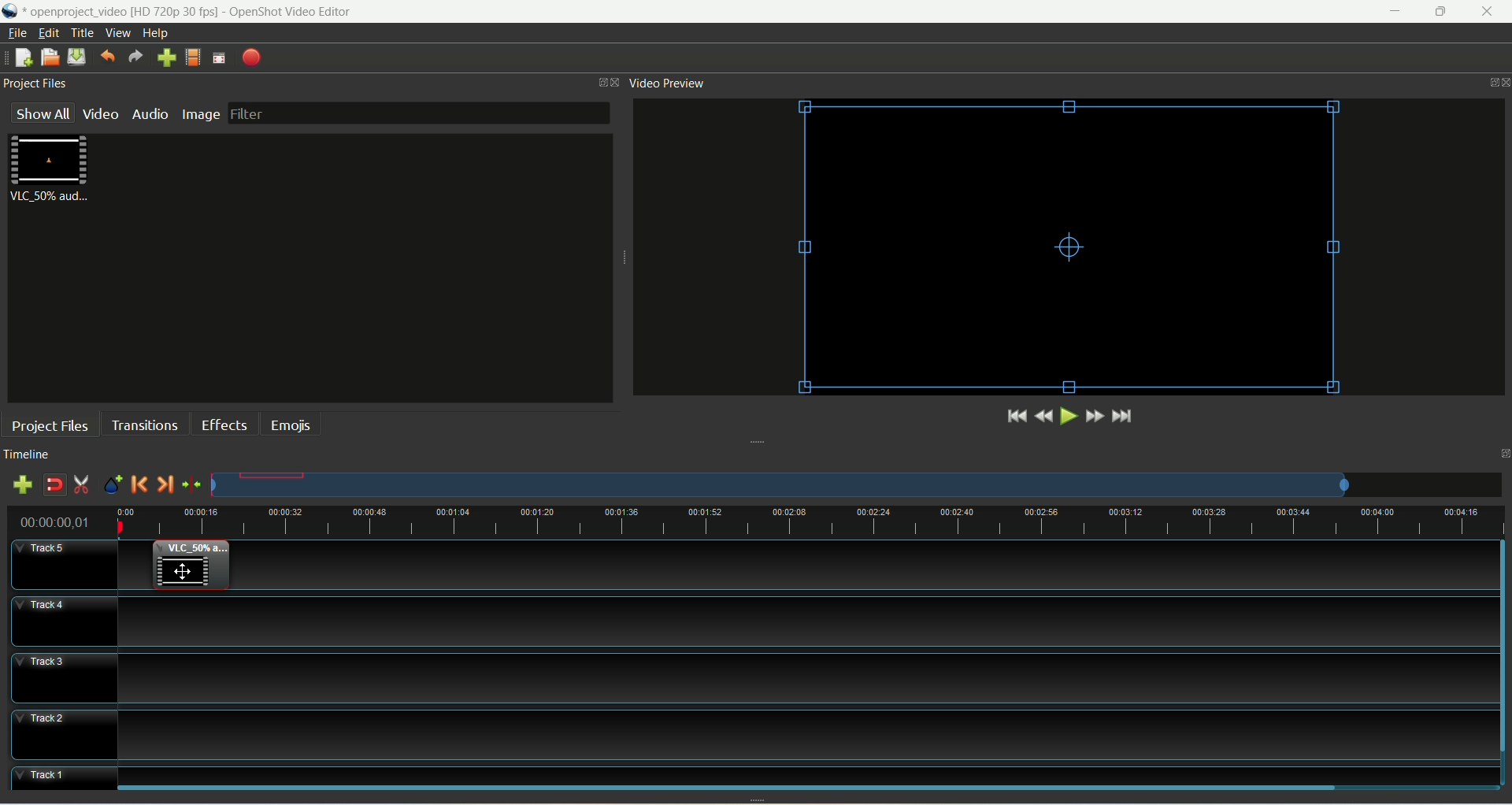  I want to click on effects, so click(224, 424).